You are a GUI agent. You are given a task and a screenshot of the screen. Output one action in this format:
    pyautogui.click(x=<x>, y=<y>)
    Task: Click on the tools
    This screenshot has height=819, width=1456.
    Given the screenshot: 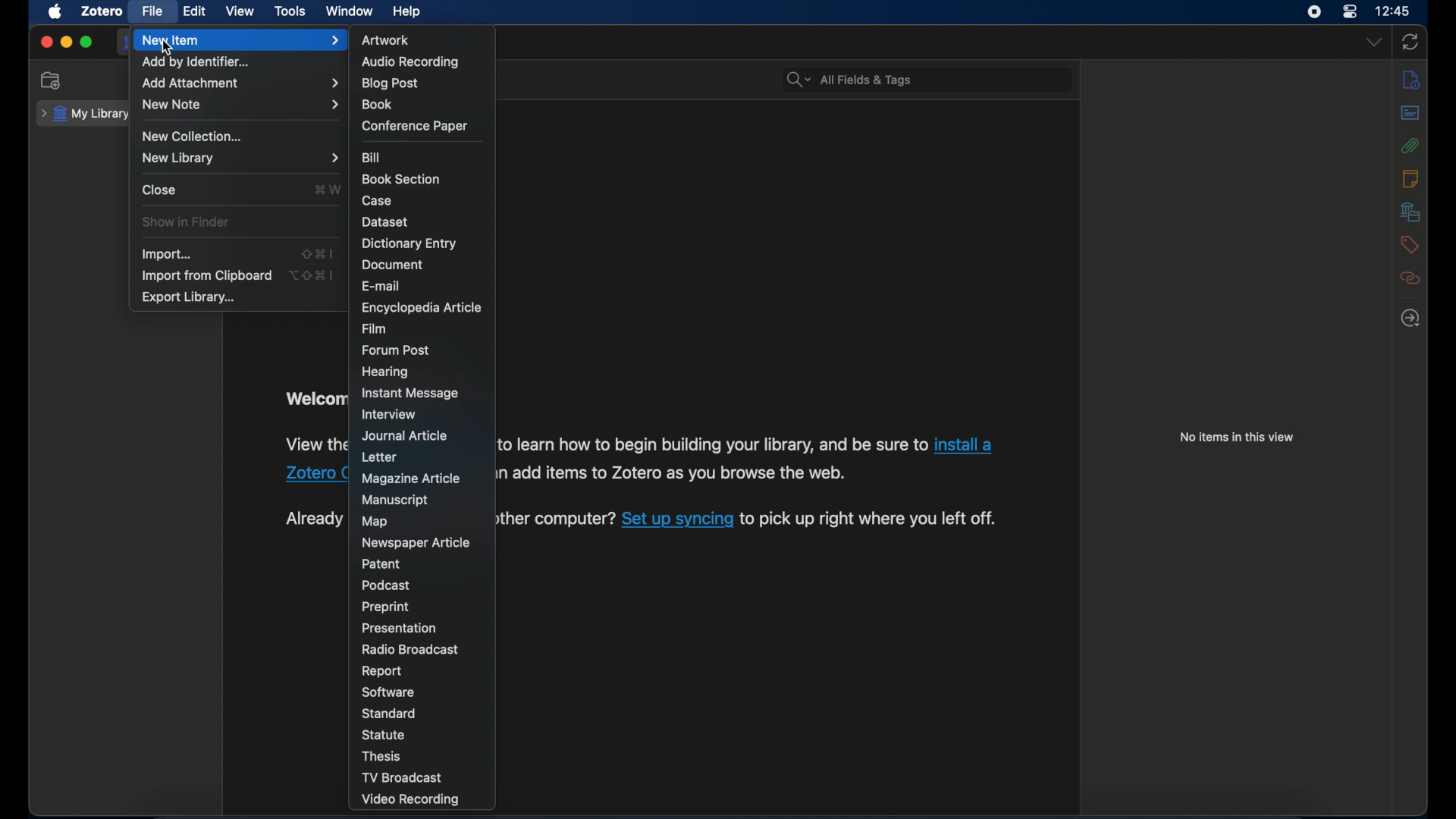 What is the action you would take?
    pyautogui.click(x=290, y=11)
    